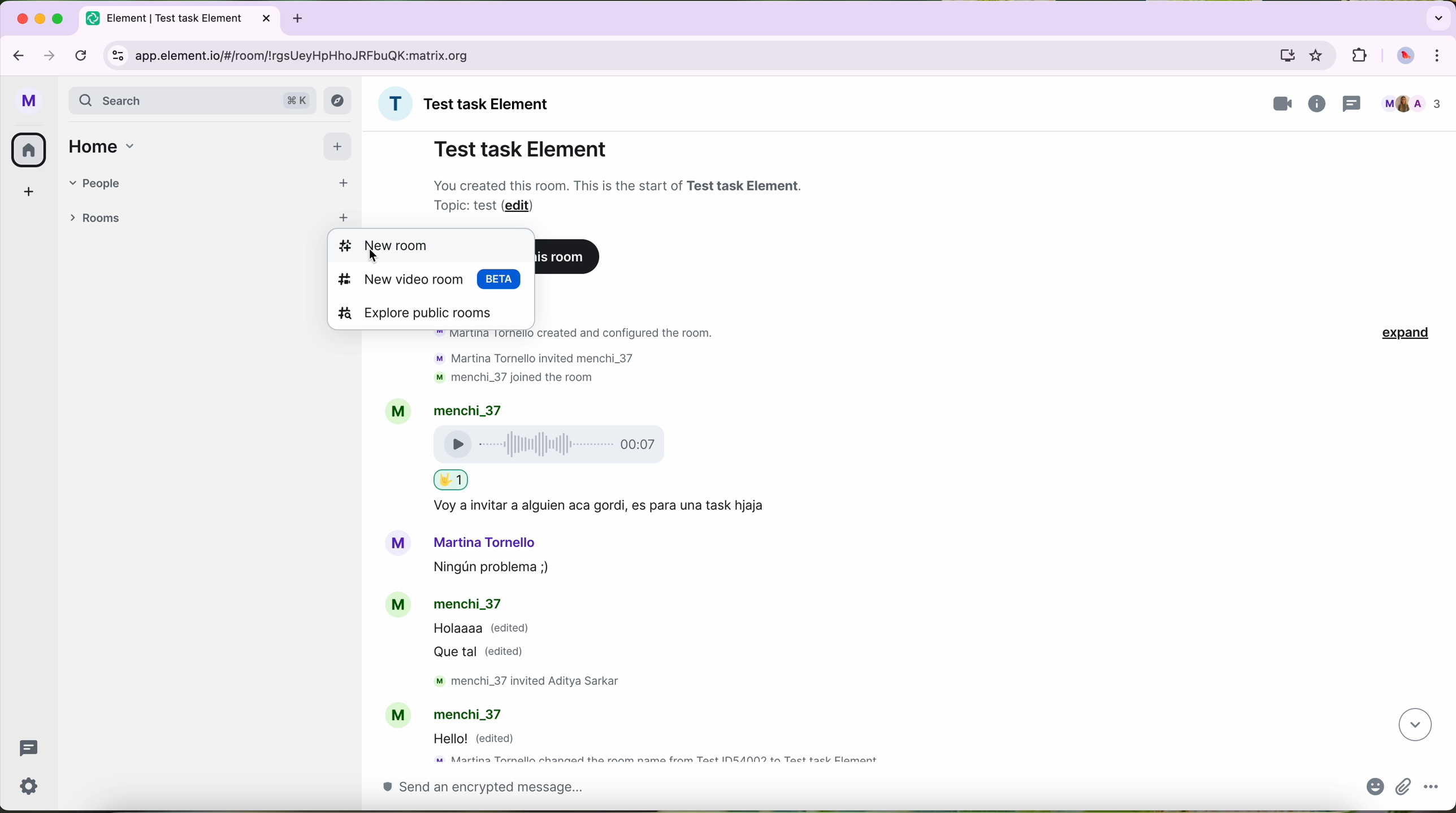 The height and width of the screenshot is (813, 1456). Describe the element at coordinates (431, 282) in the screenshot. I see `new video room` at that location.